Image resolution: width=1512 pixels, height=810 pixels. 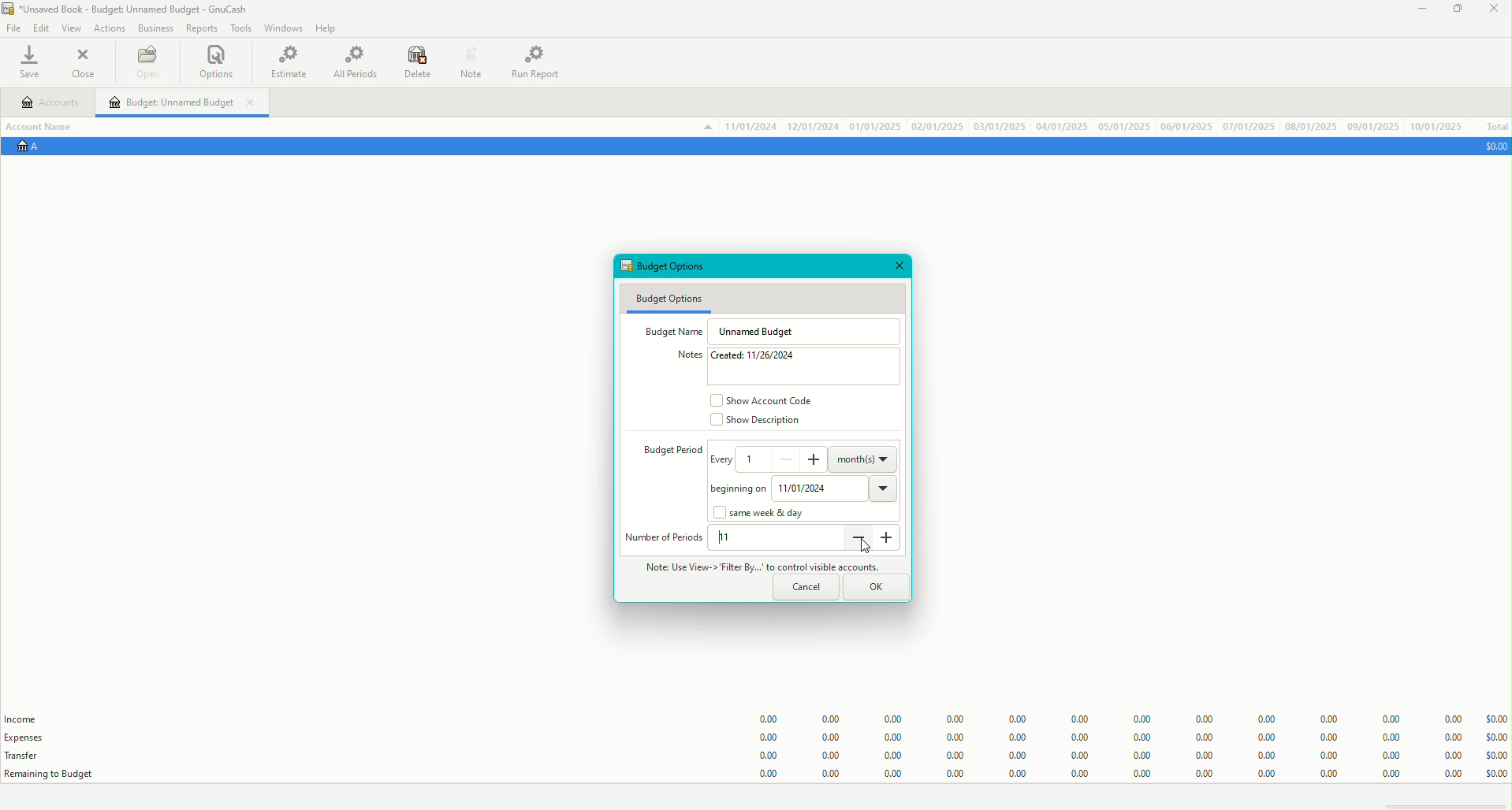 I want to click on Tools, so click(x=237, y=28).